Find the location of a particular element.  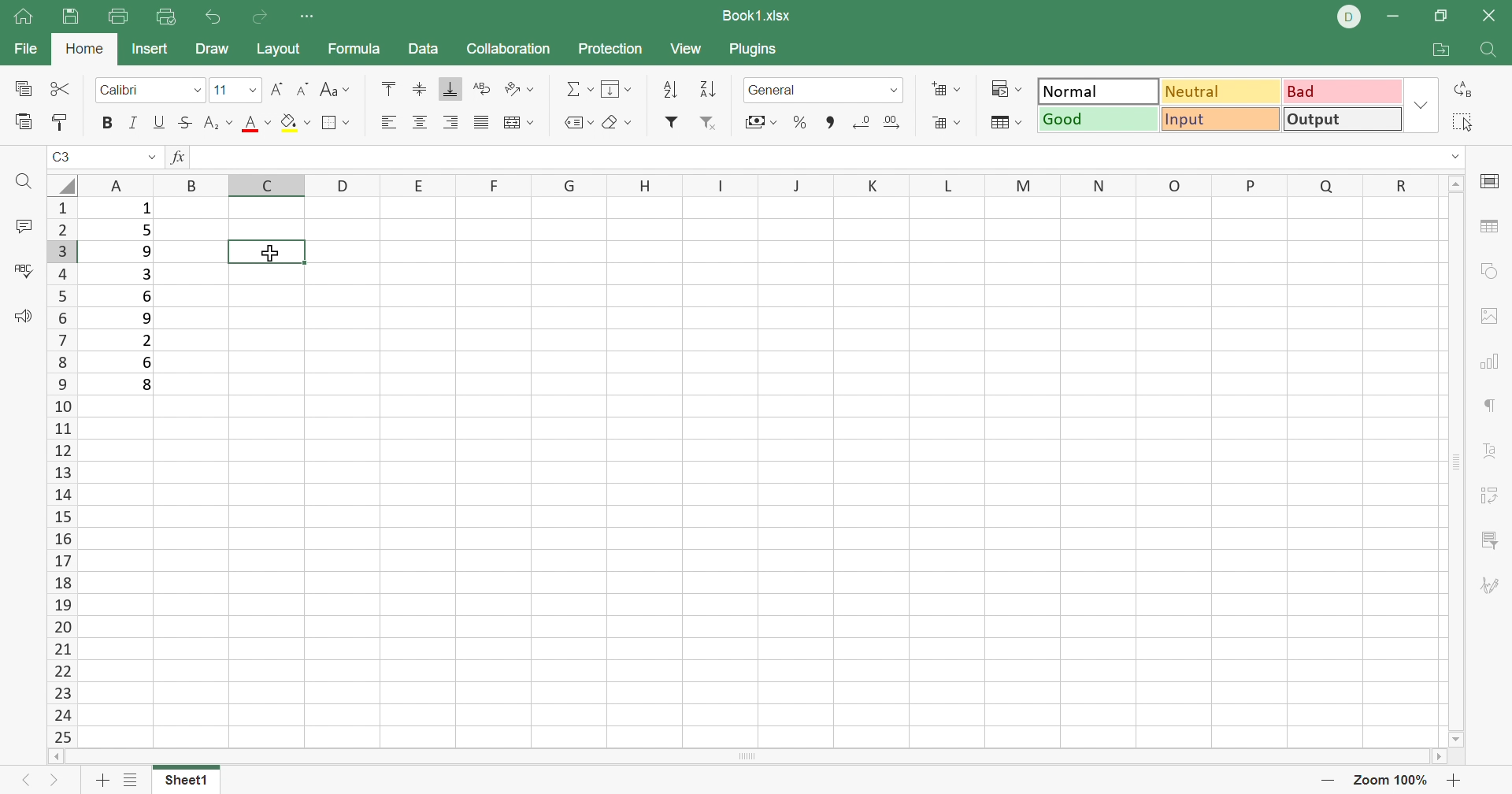

Align center is located at coordinates (419, 122).